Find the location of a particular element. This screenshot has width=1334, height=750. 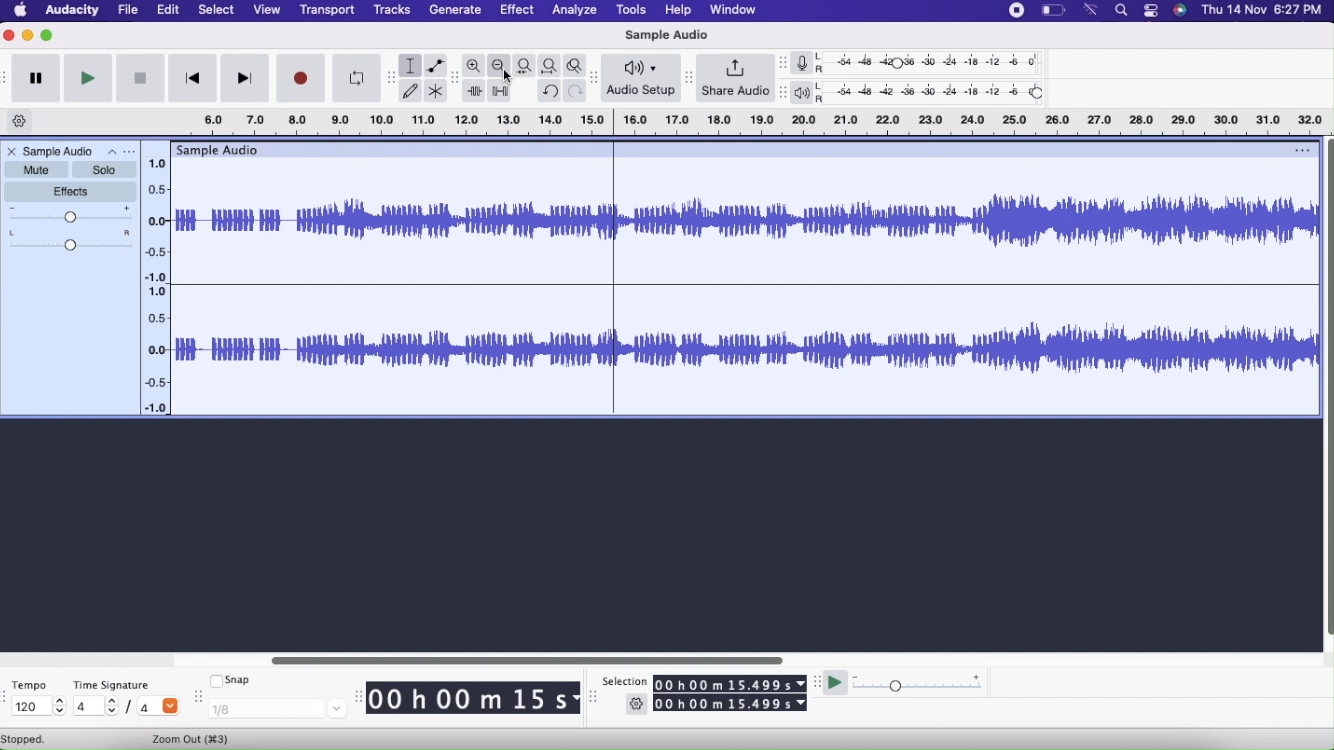

/ is located at coordinates (129, 707).